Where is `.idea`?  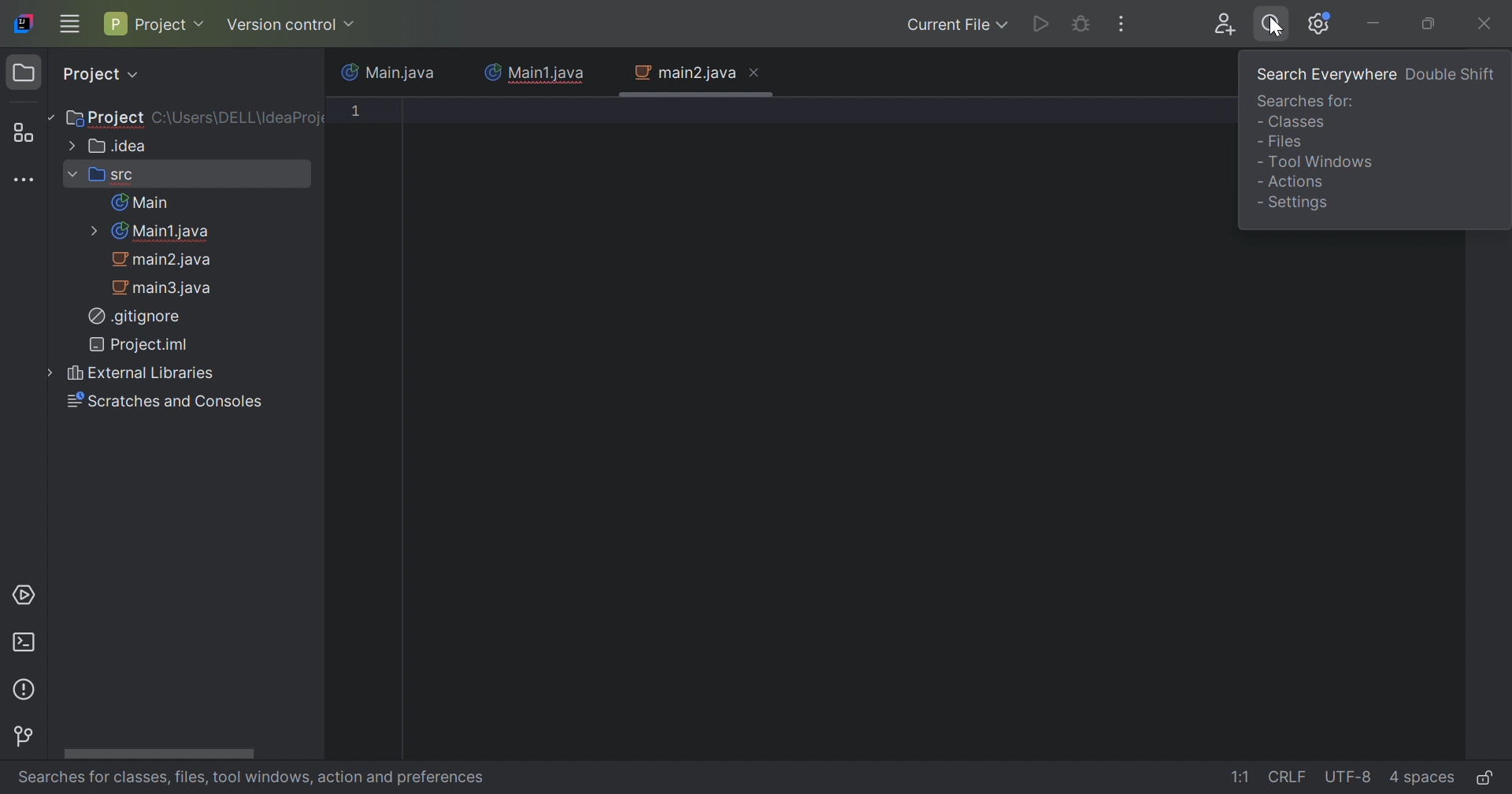
.idea is located at coordinates (107, 145).